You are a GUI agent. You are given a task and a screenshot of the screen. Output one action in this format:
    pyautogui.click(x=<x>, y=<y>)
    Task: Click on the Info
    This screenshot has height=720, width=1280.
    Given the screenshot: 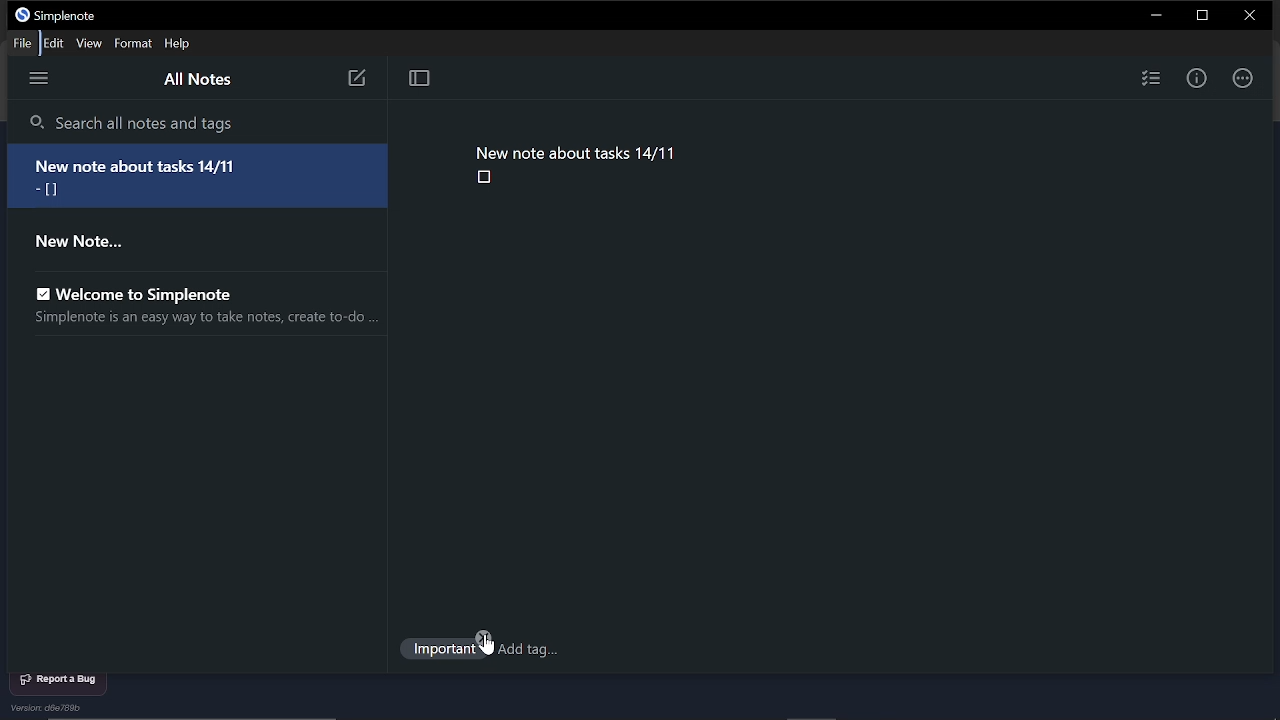 What is the action you would take?
    pyautogui.click(x=1197, y=77)
    